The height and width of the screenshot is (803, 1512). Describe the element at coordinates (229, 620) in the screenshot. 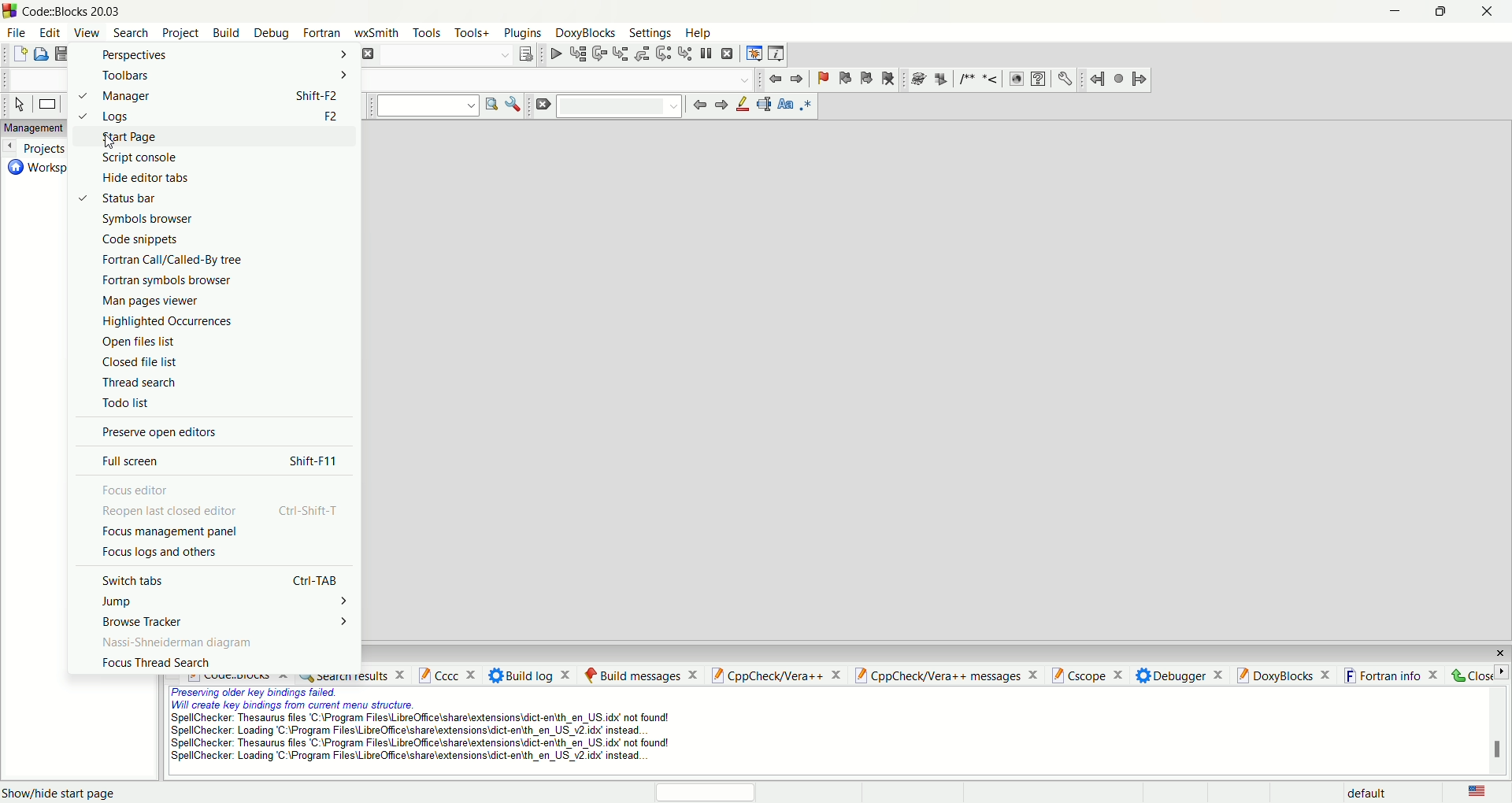

I see `browse tracker` at that location.